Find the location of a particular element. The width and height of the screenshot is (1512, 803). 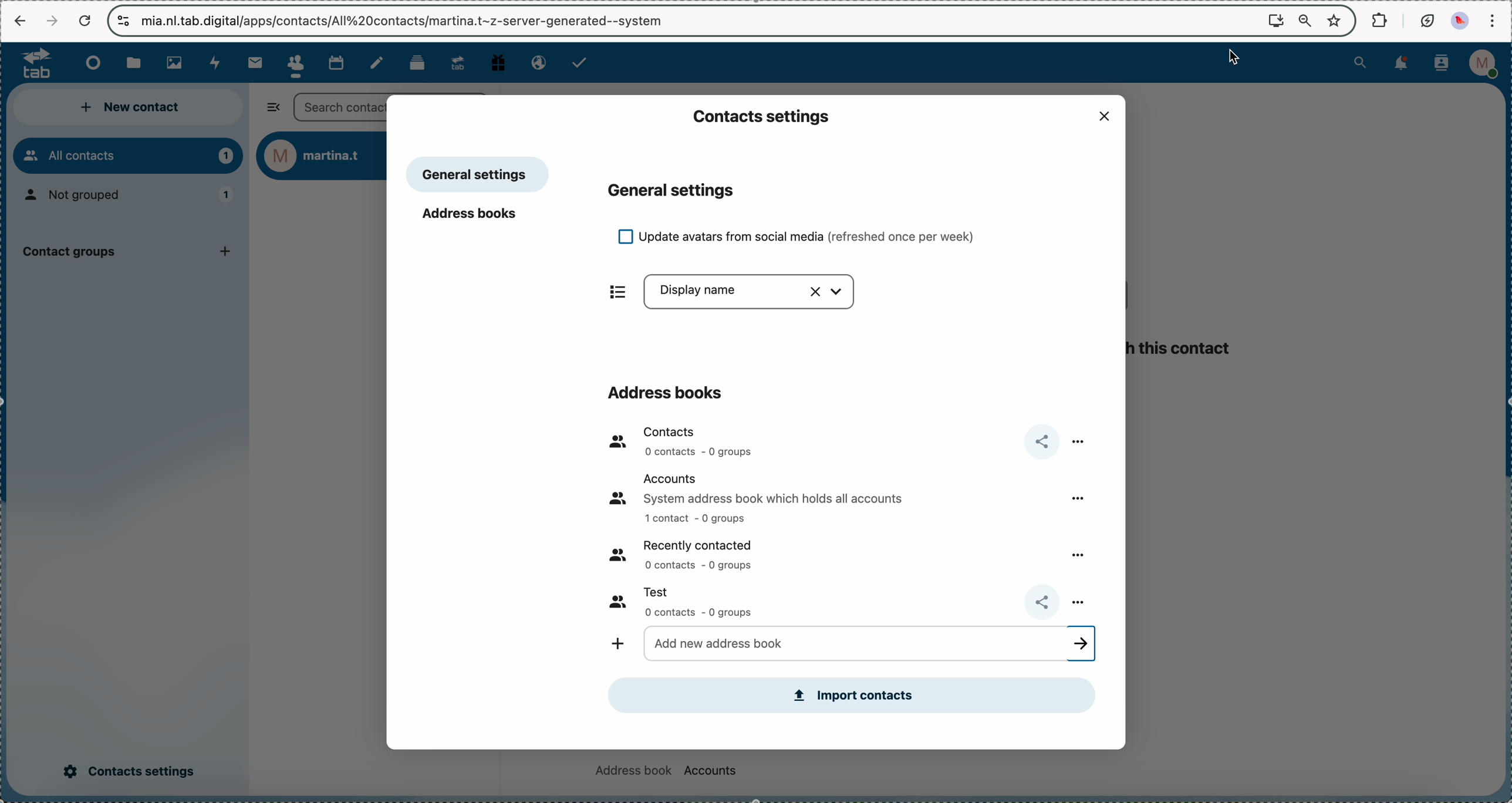

email is located at coordinates (535, 62).